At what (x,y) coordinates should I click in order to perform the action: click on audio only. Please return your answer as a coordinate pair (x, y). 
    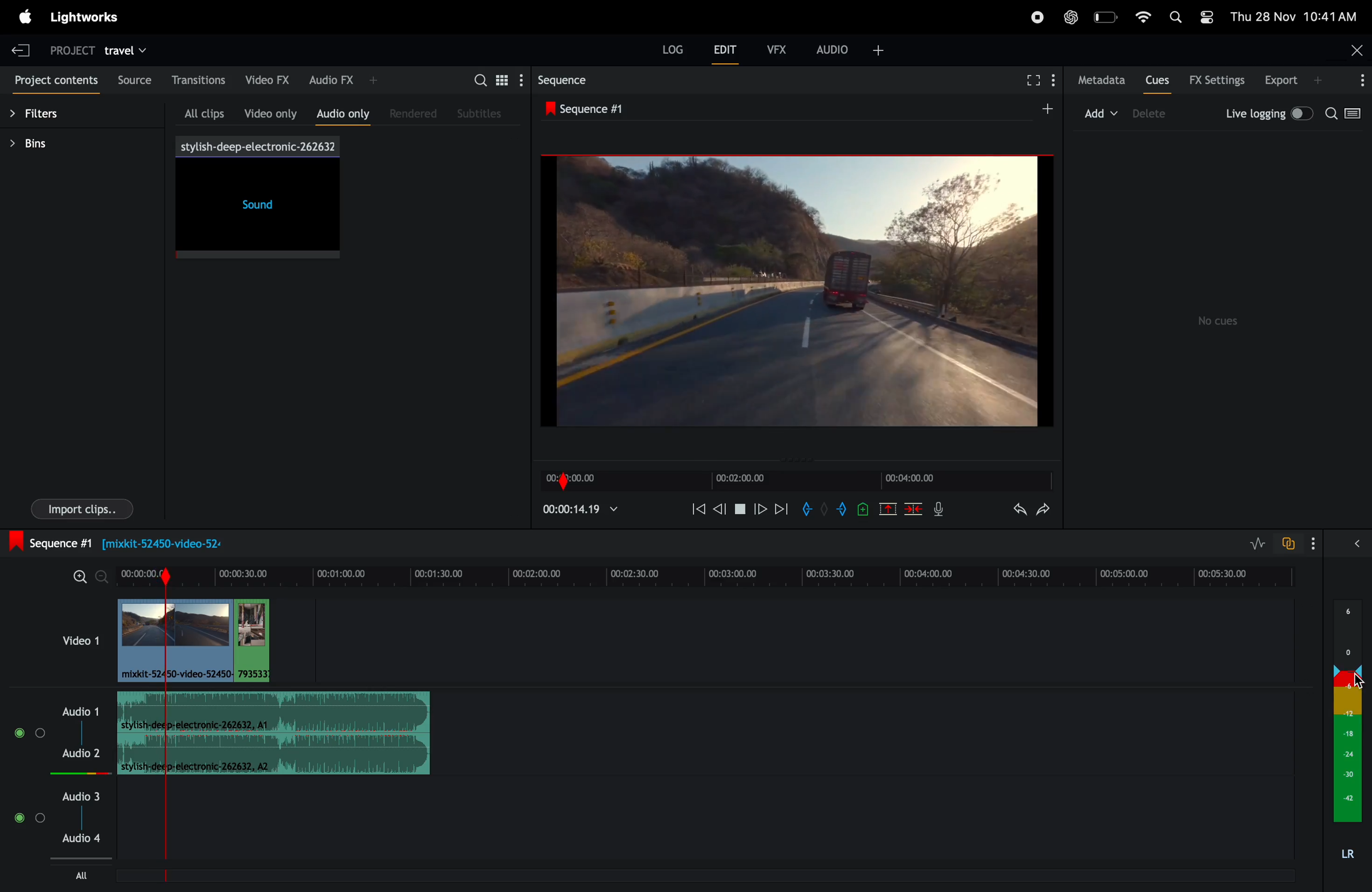
    Looking at the image, I should click on (340, 114).